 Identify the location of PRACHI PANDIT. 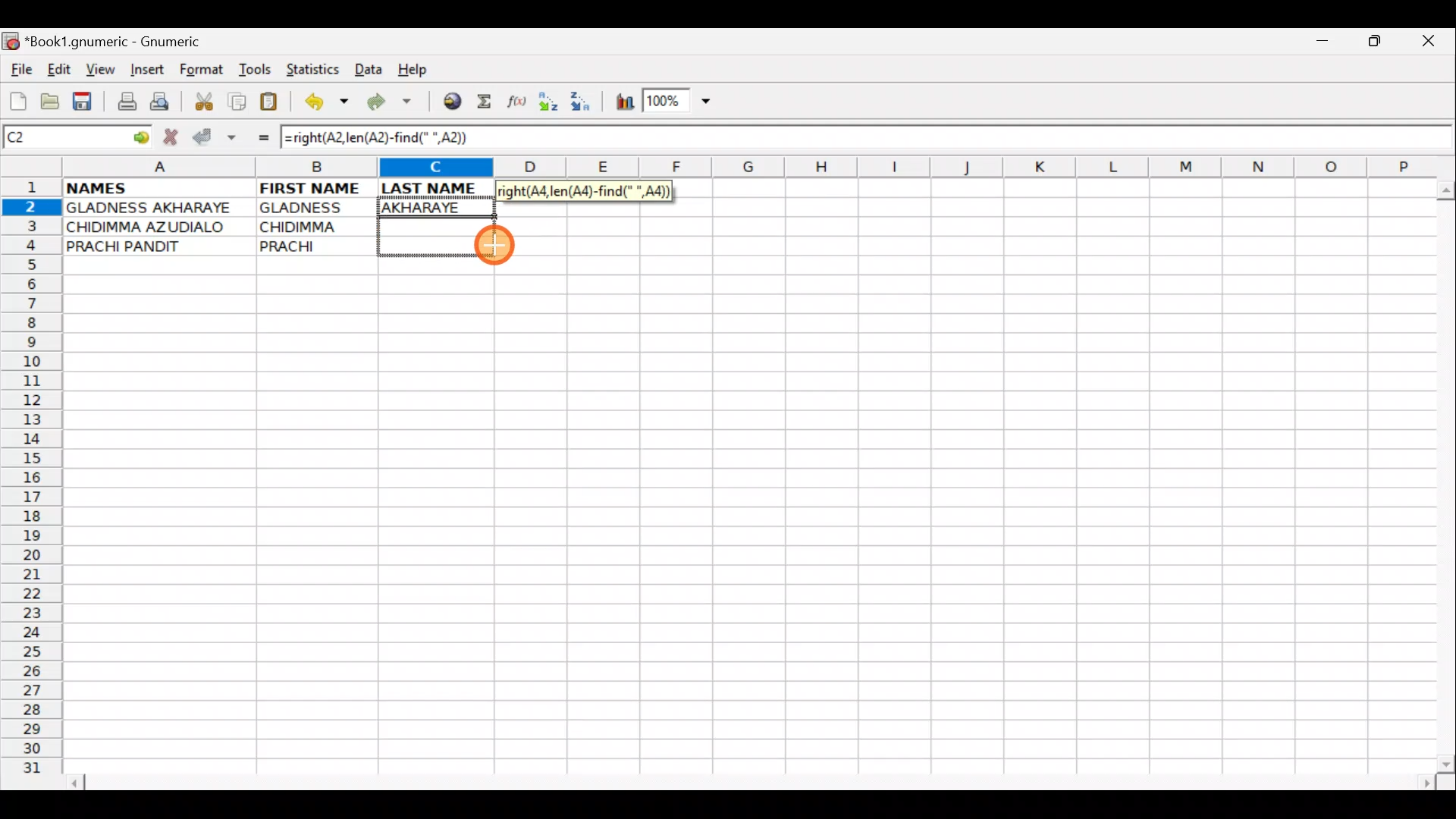
(149, 246).